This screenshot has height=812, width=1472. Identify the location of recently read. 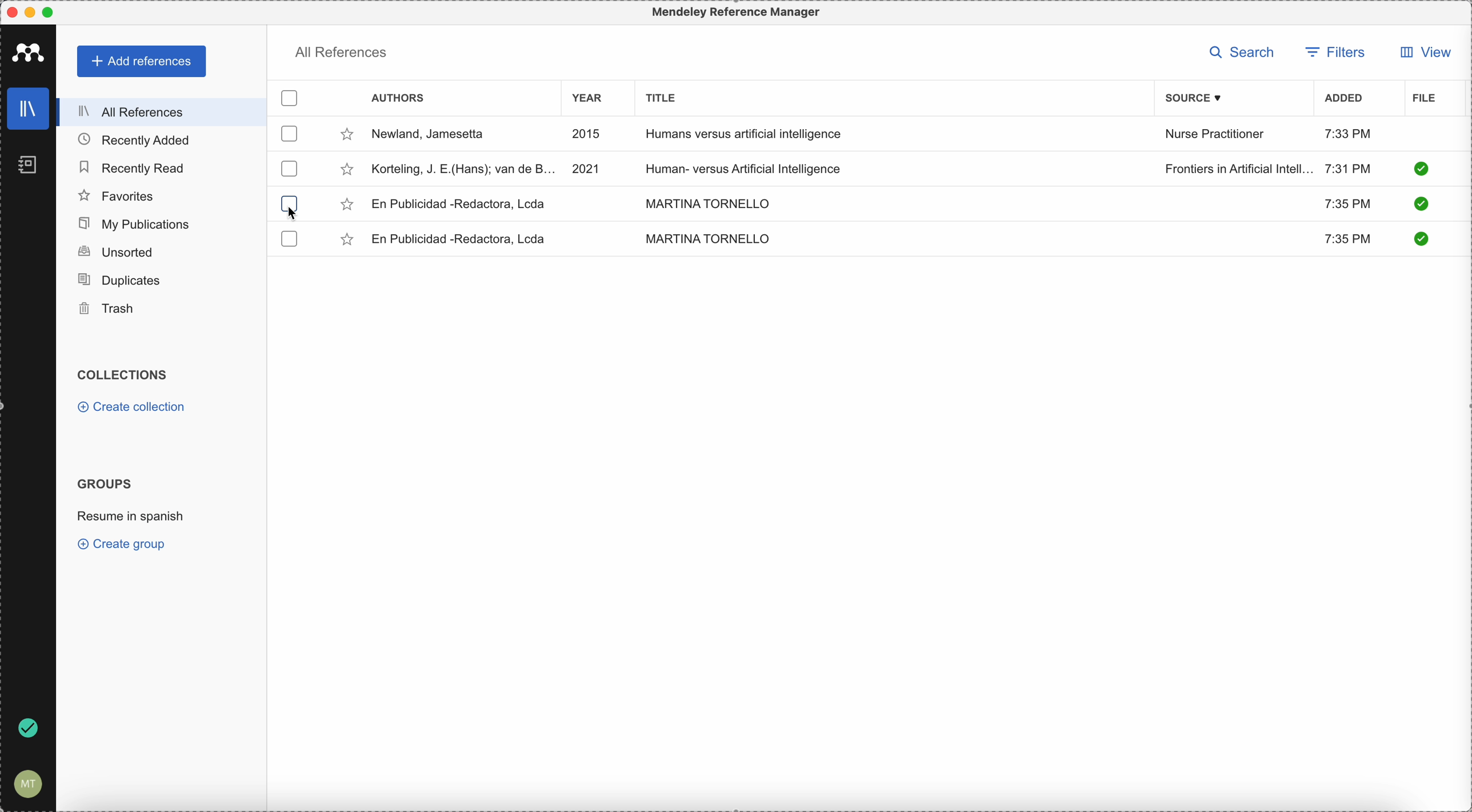
(131, 166).